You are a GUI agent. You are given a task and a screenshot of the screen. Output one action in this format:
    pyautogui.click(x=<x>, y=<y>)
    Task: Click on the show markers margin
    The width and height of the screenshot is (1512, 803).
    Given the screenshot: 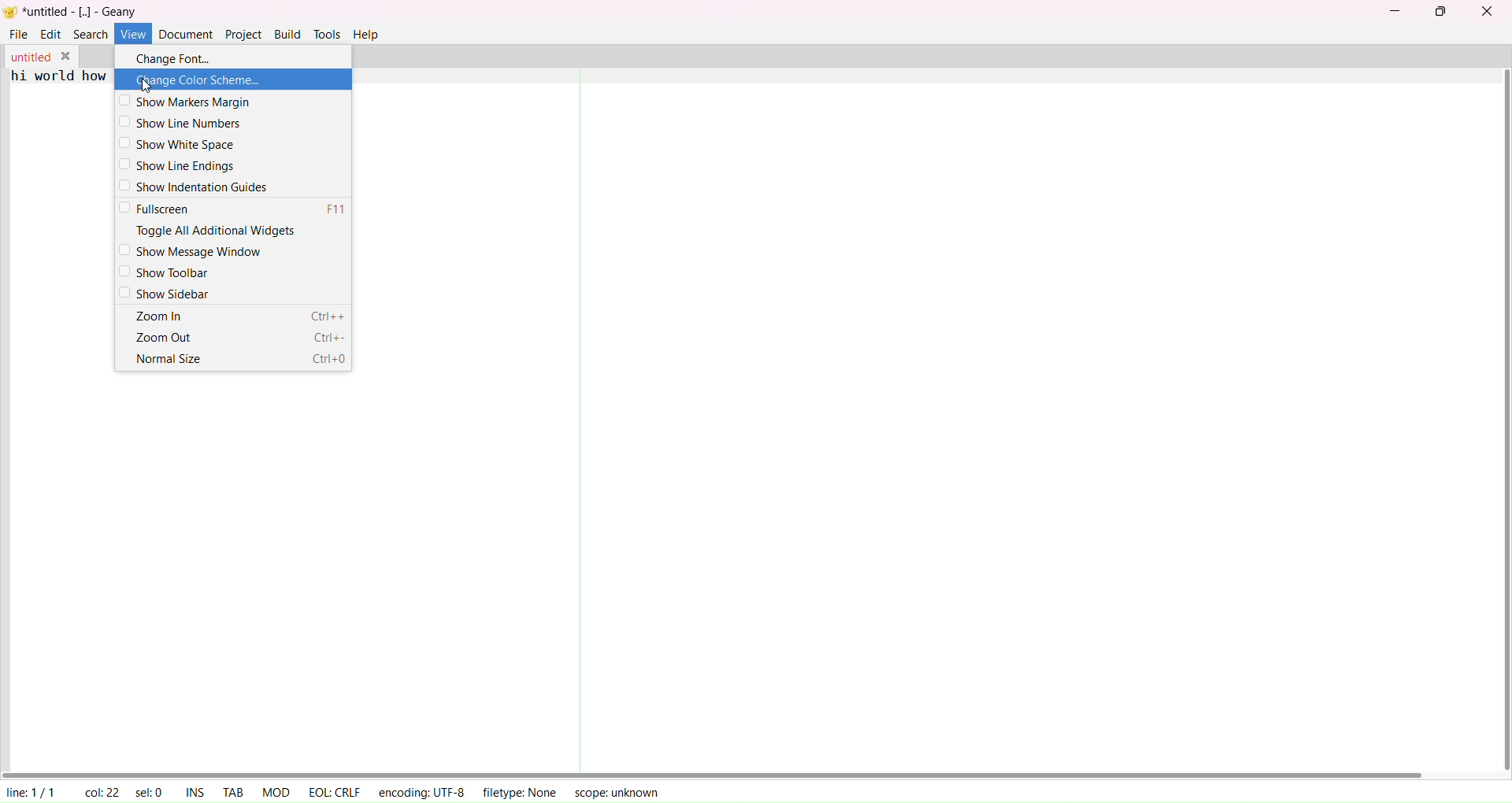 What is the action you would take?
    pyautogui.click(x=187, y=102)
    